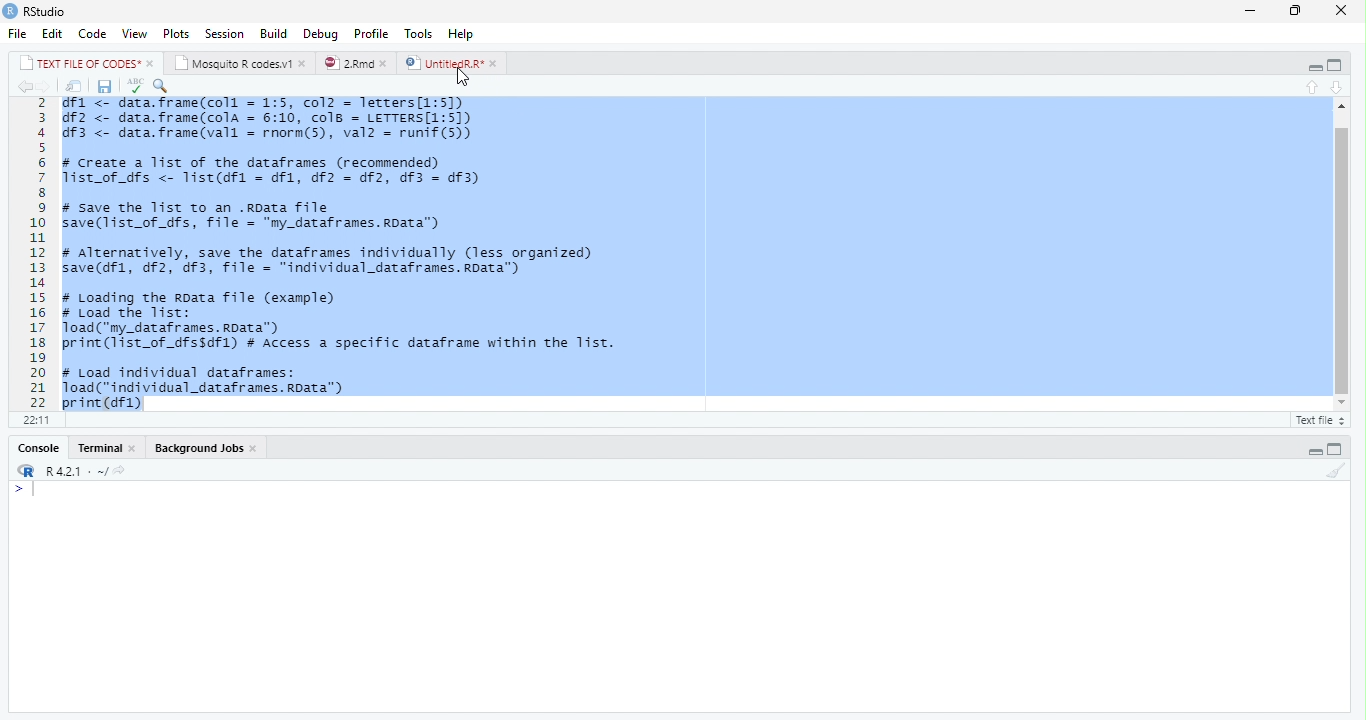  I want to click on Debug, so click(321, 33).